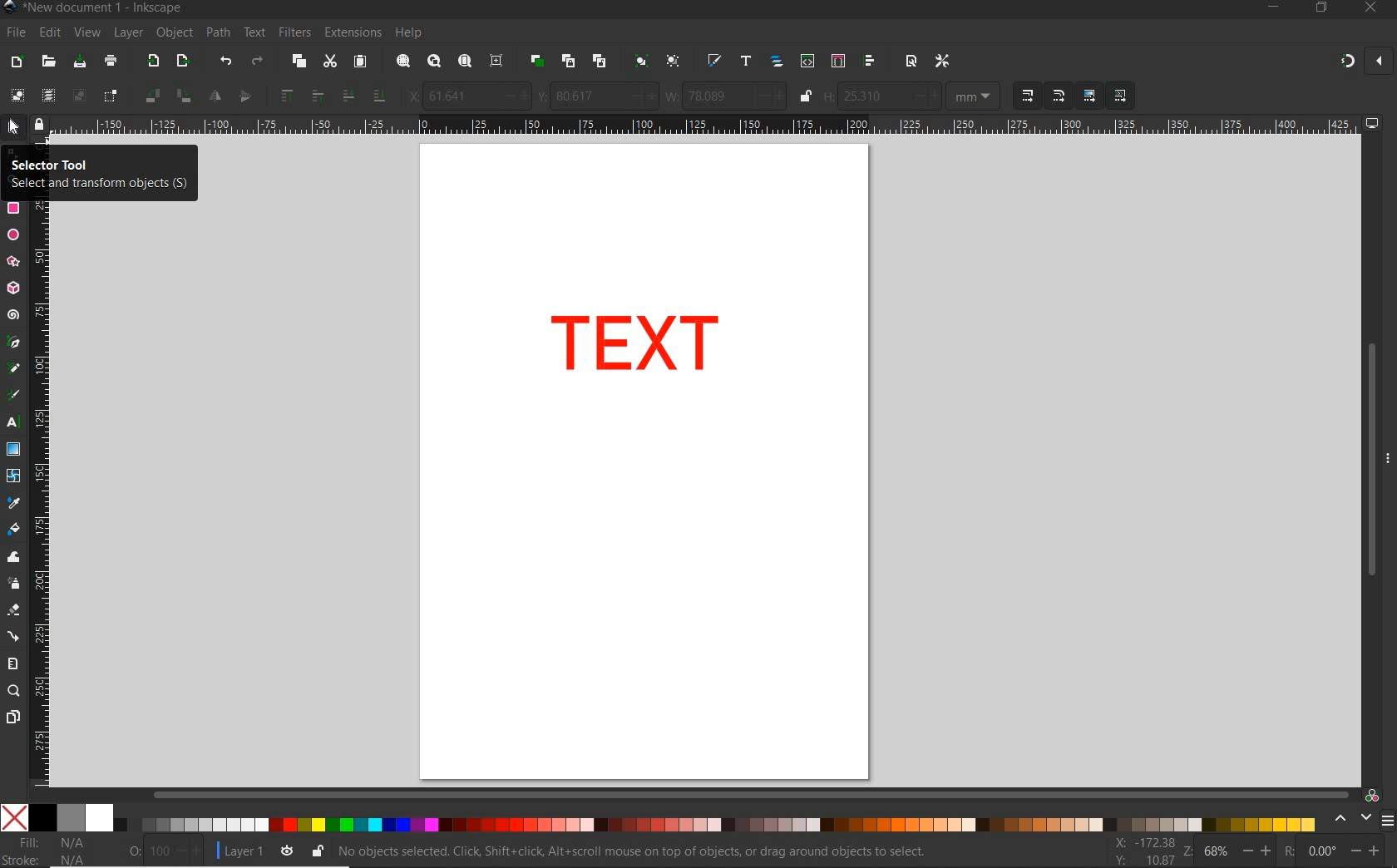  I want to click on pages tool, so click(12, 718).